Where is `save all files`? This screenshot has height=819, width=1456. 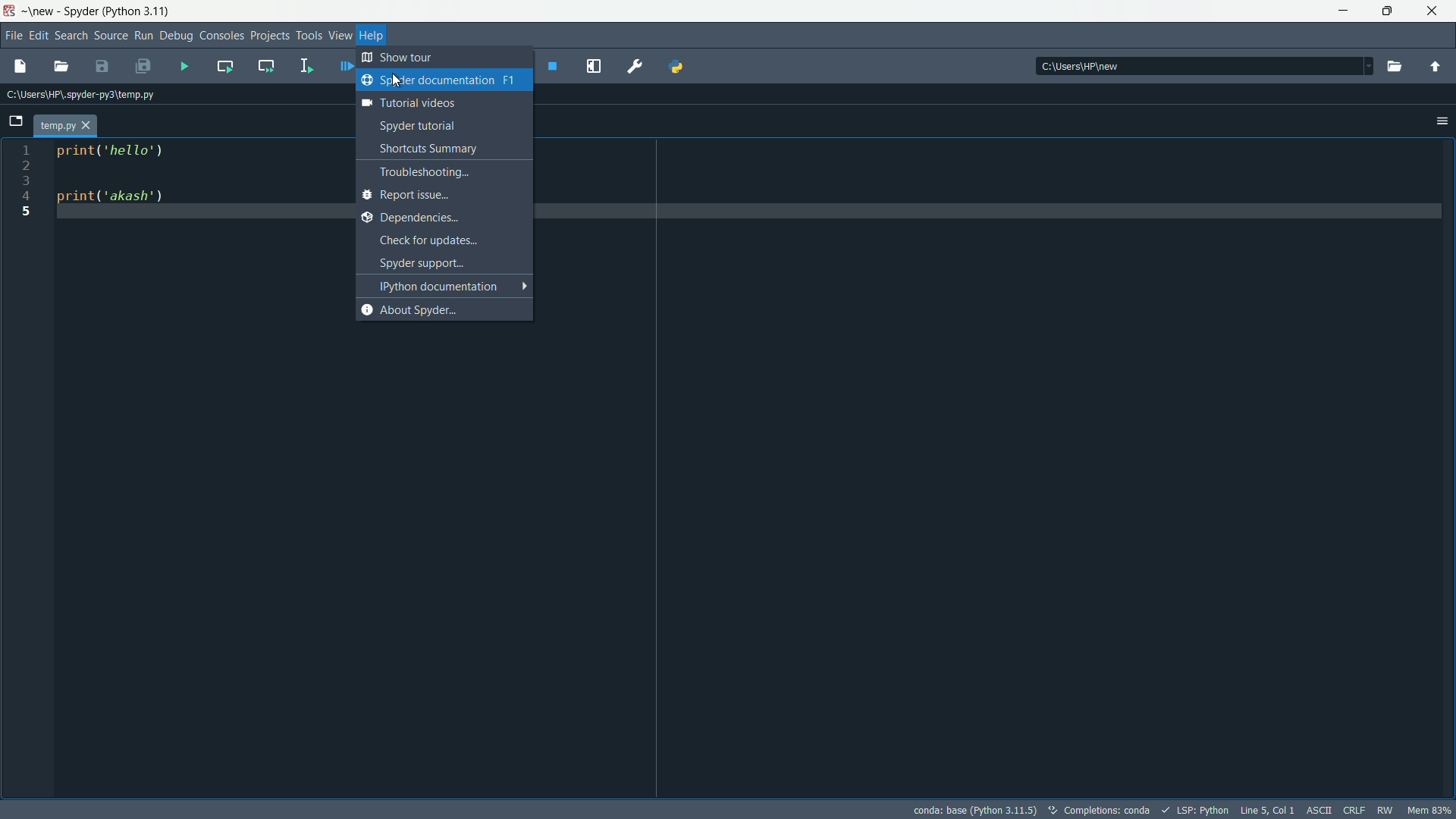
save all files is located at coordinates (142, 67).